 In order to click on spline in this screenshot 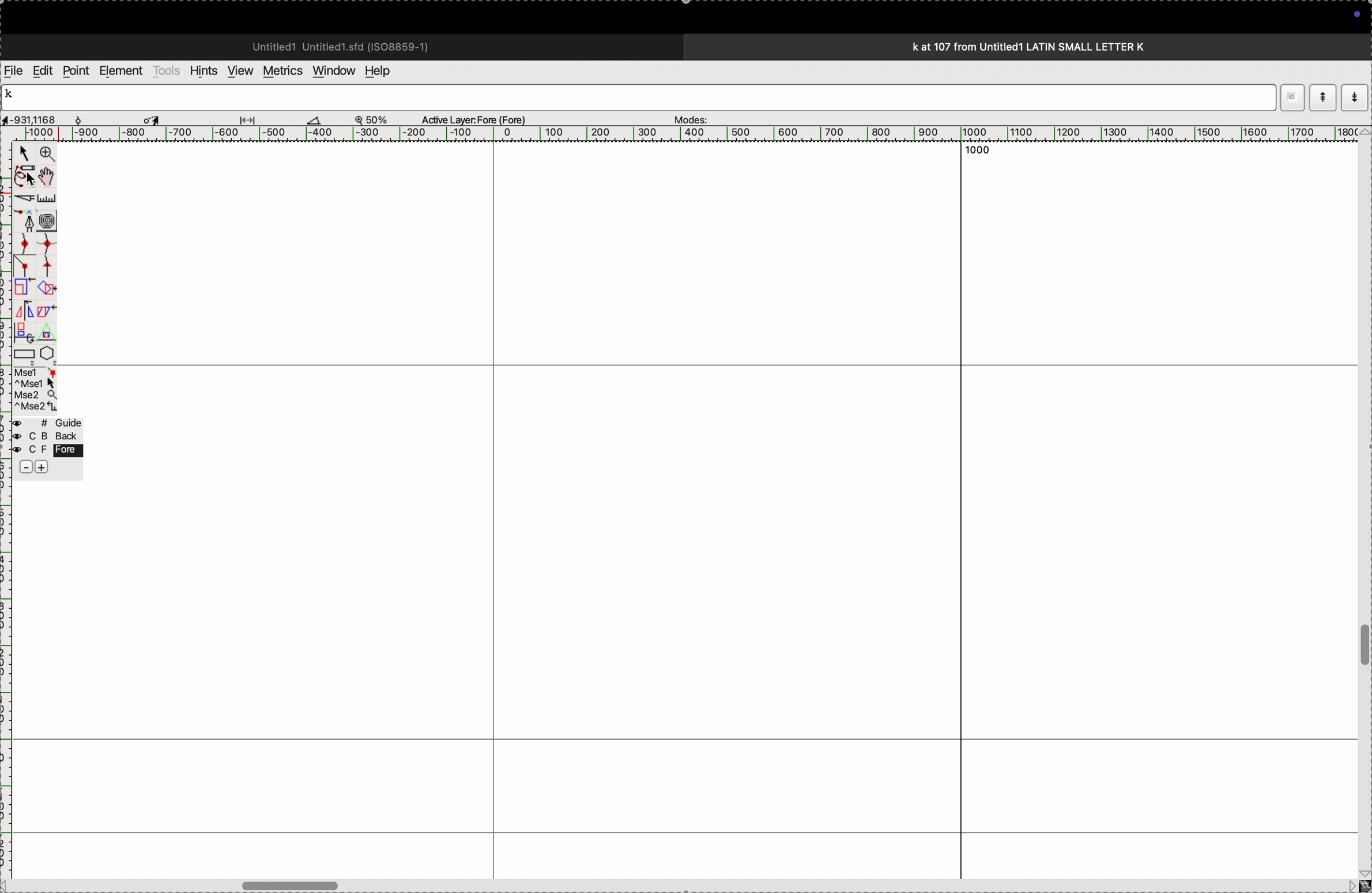, I will do `click(41, 254)`.